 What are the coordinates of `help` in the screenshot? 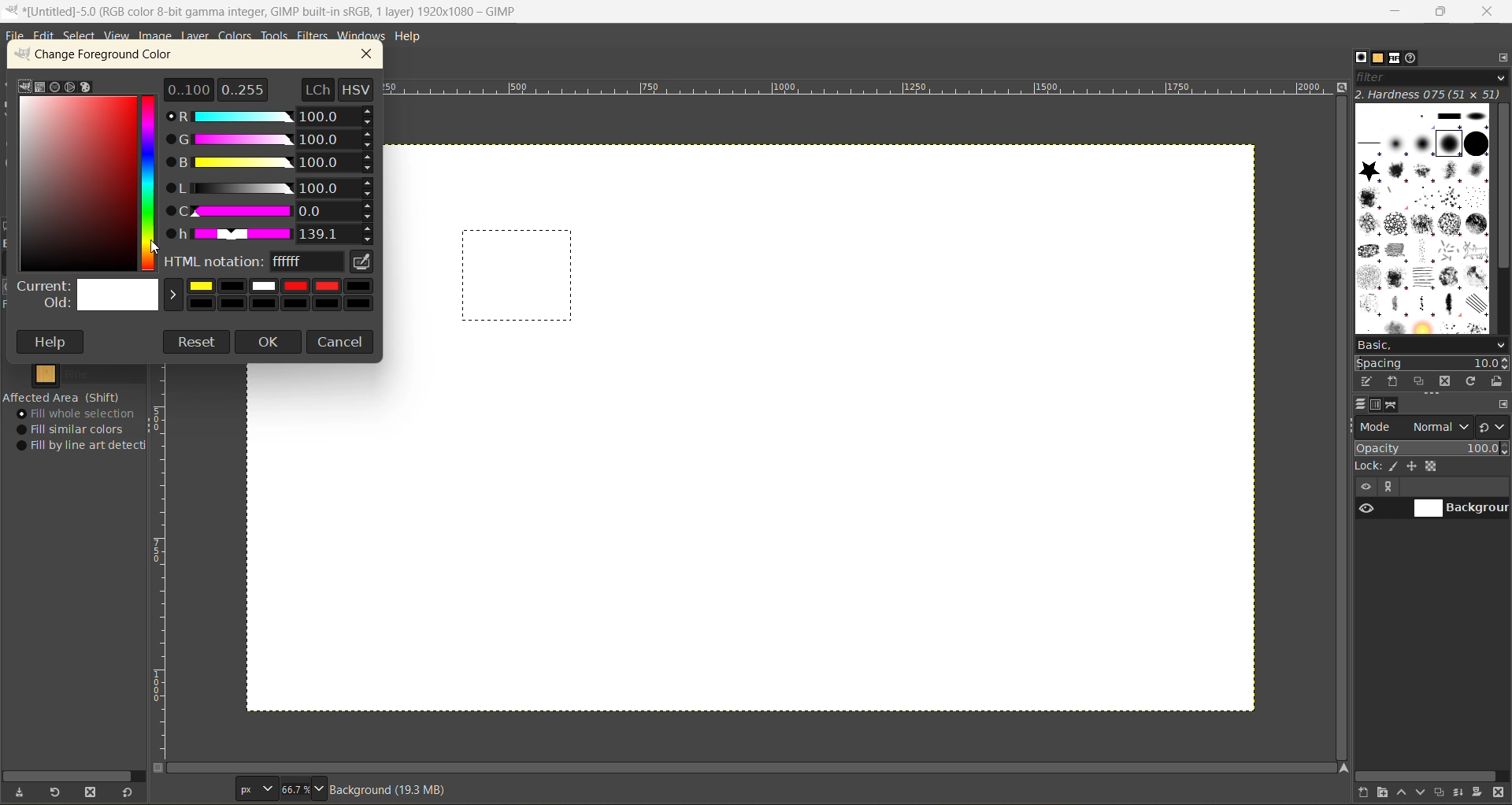 It's located at (53, 342).